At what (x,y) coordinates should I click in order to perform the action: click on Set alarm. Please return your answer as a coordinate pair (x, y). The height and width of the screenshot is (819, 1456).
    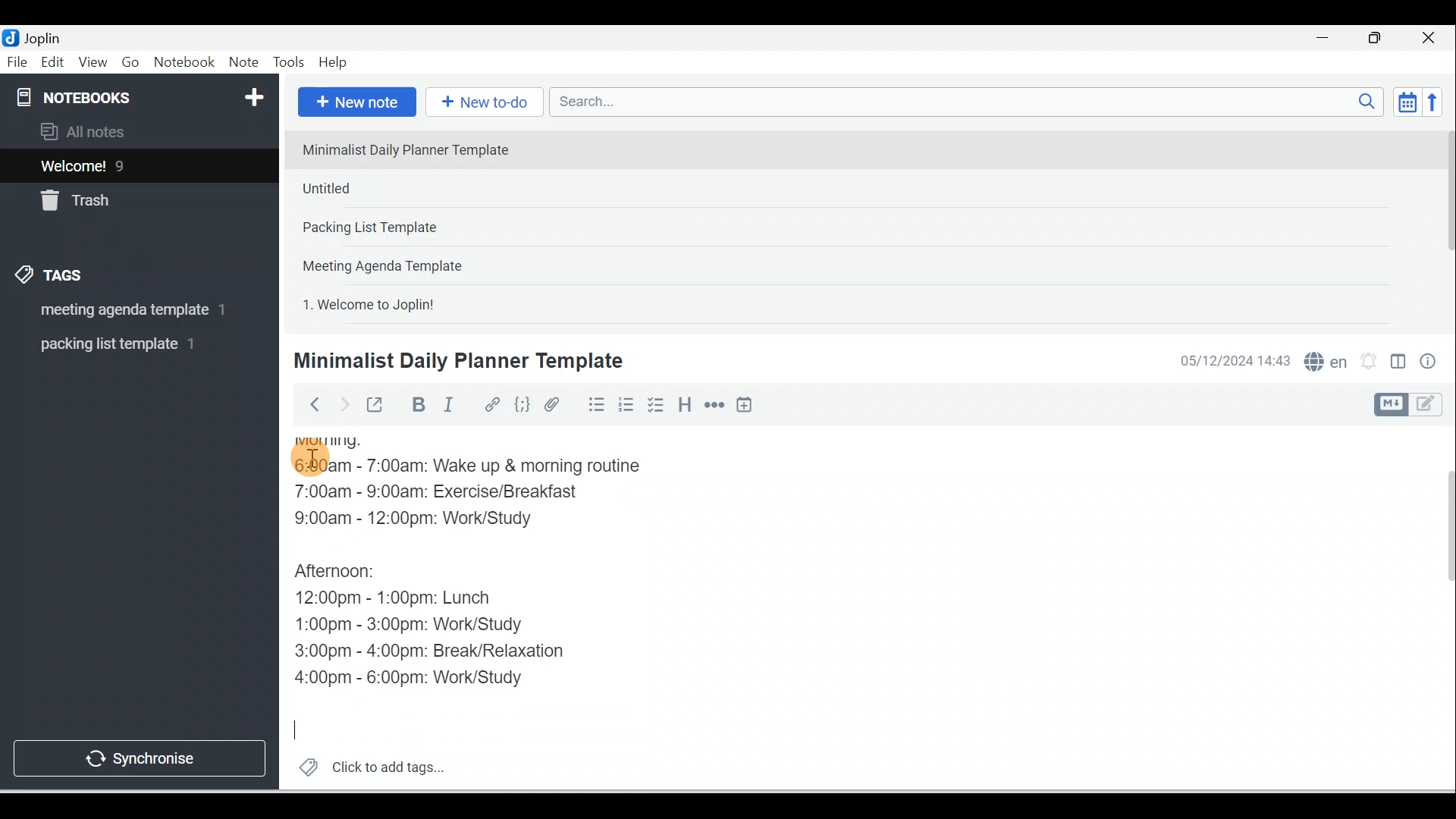
    Looking at the image, I should click on (1367, 362).